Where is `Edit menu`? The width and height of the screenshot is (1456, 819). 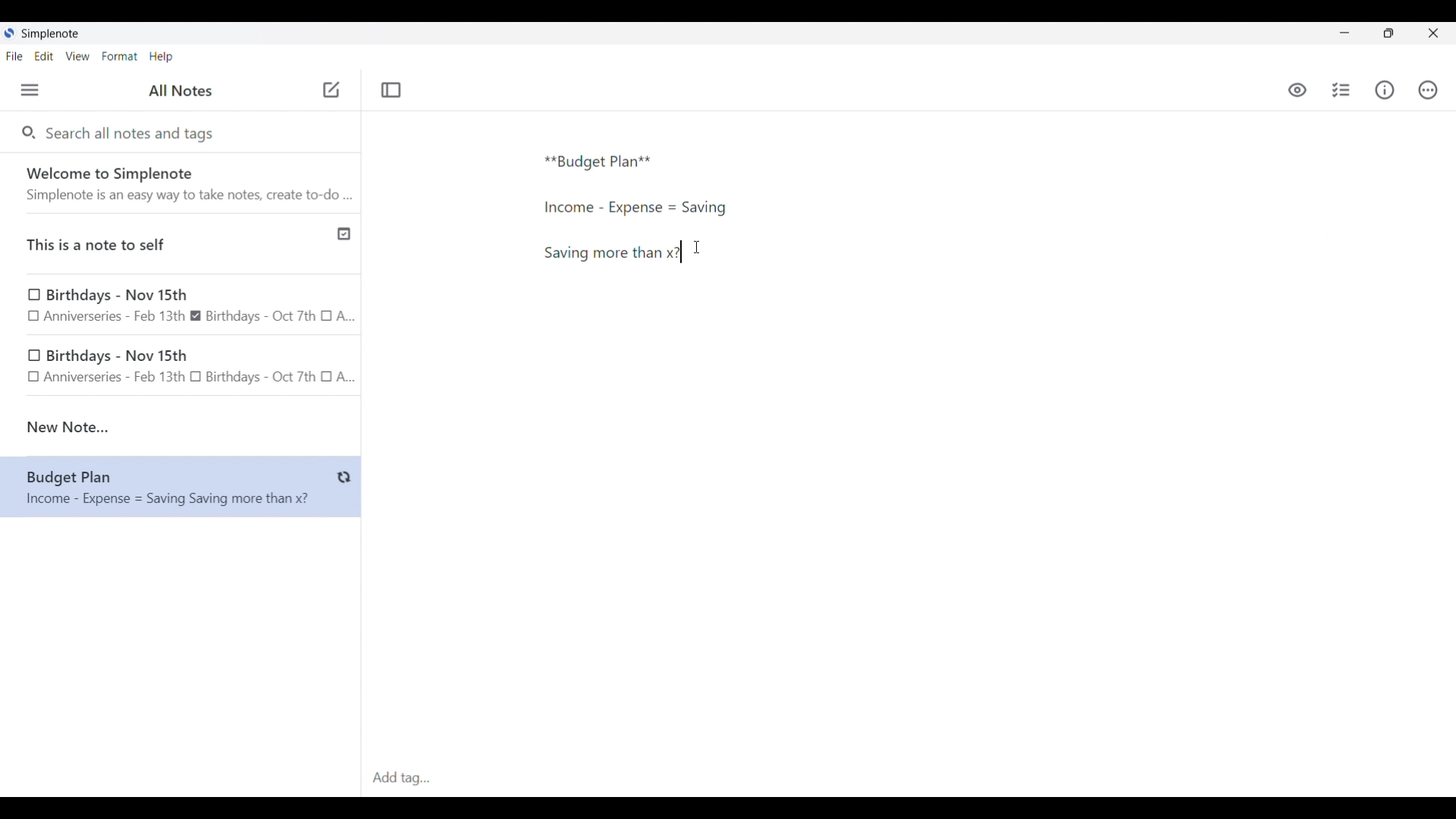 Edit menu is located at coordinates (45, 55).